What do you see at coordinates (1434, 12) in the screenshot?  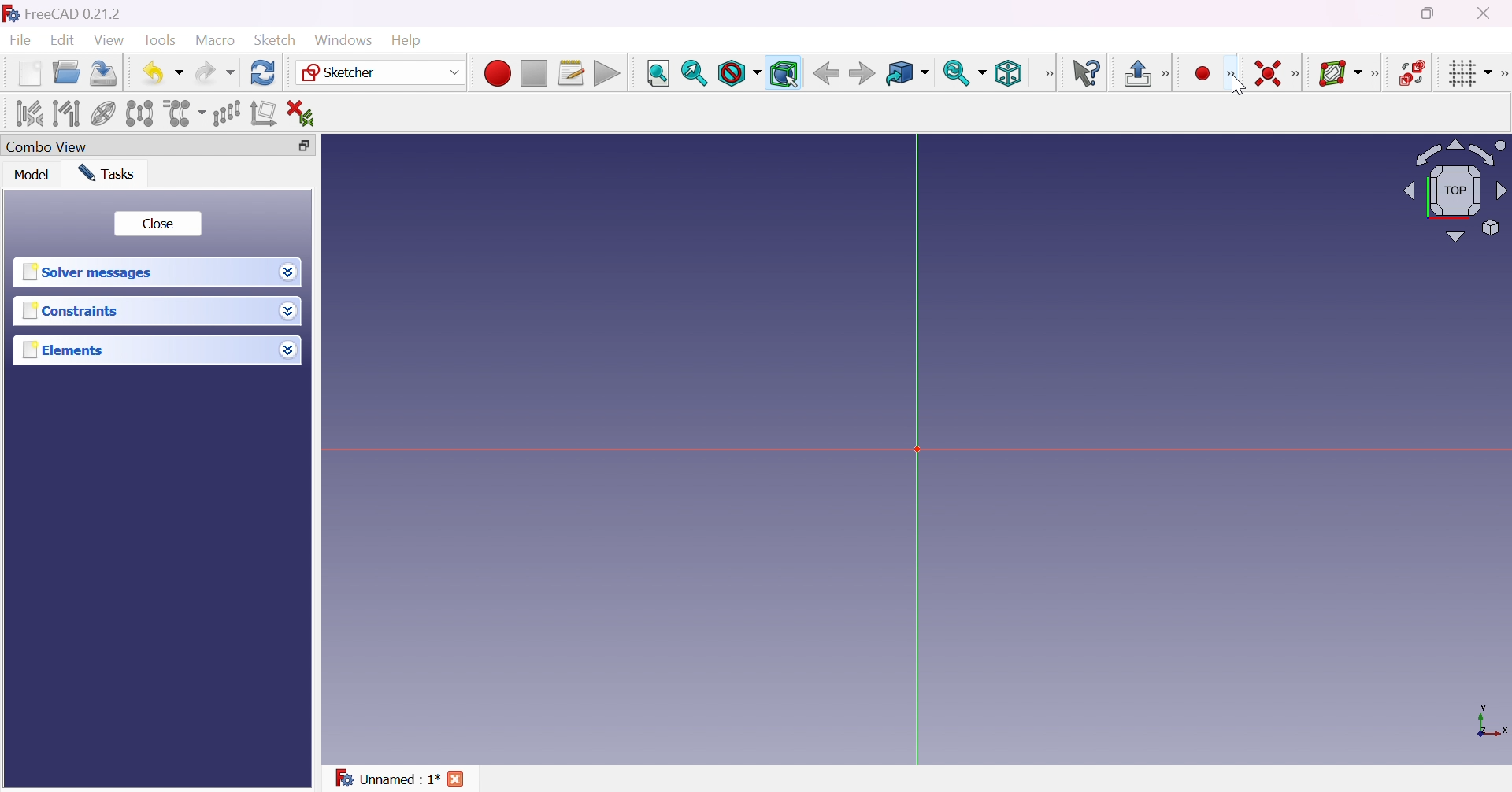 I see `Restore down` at bounding box center [1434, 12].